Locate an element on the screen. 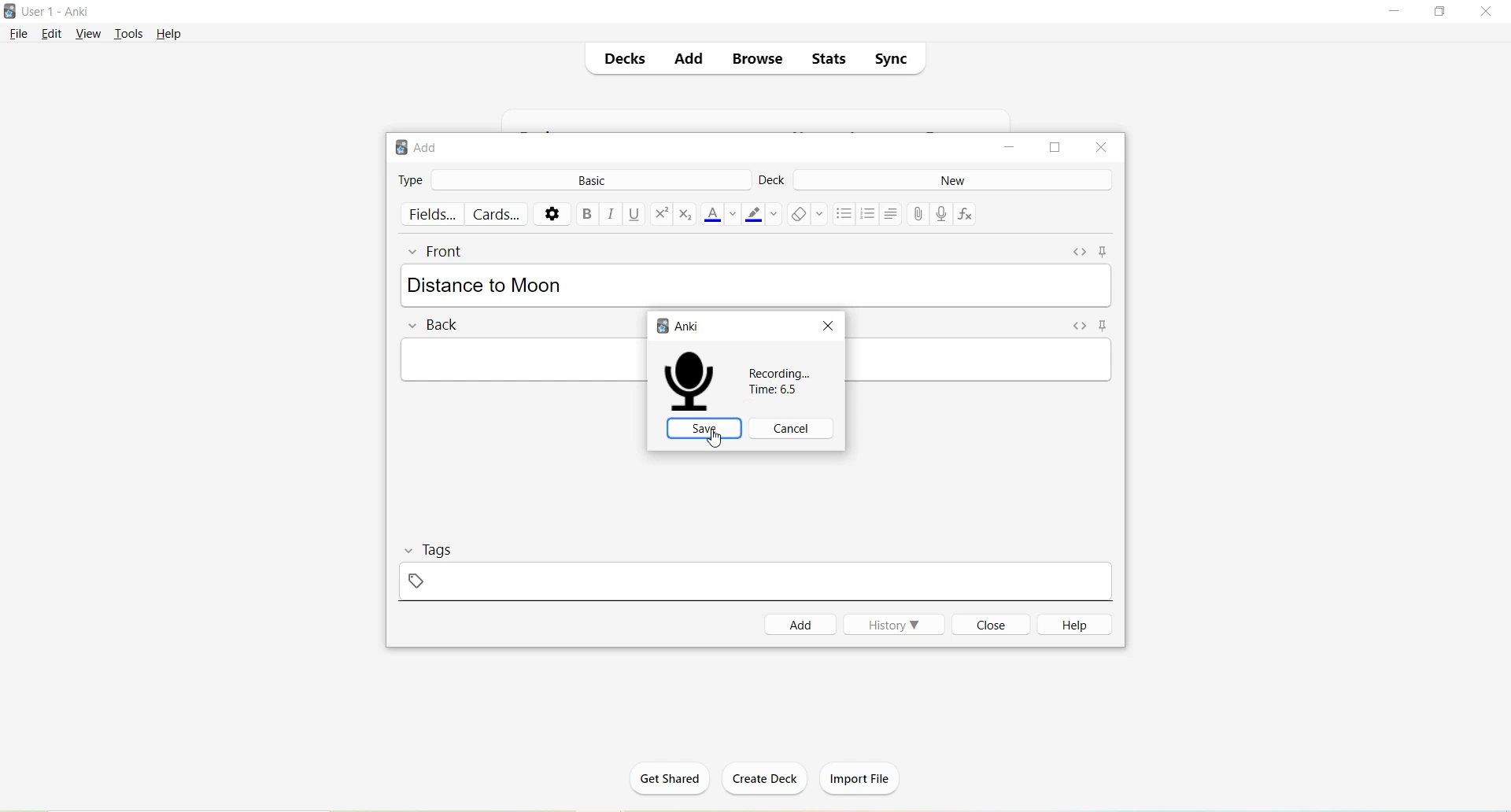 This screenshot has width=1511, height=812. Bold is located at coordinates (587, 213).